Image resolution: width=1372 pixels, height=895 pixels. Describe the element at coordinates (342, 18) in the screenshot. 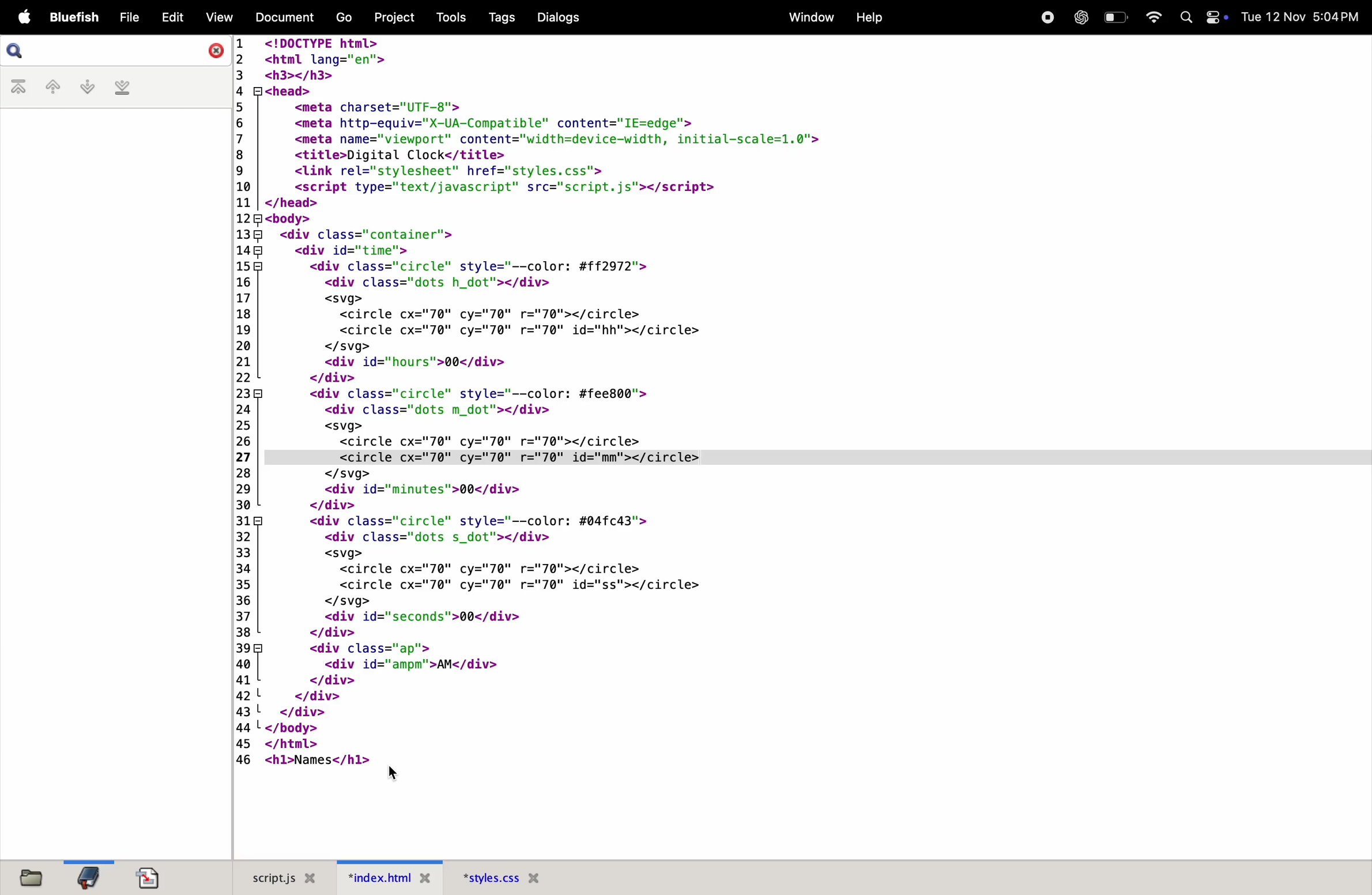

I see `go` at that location.